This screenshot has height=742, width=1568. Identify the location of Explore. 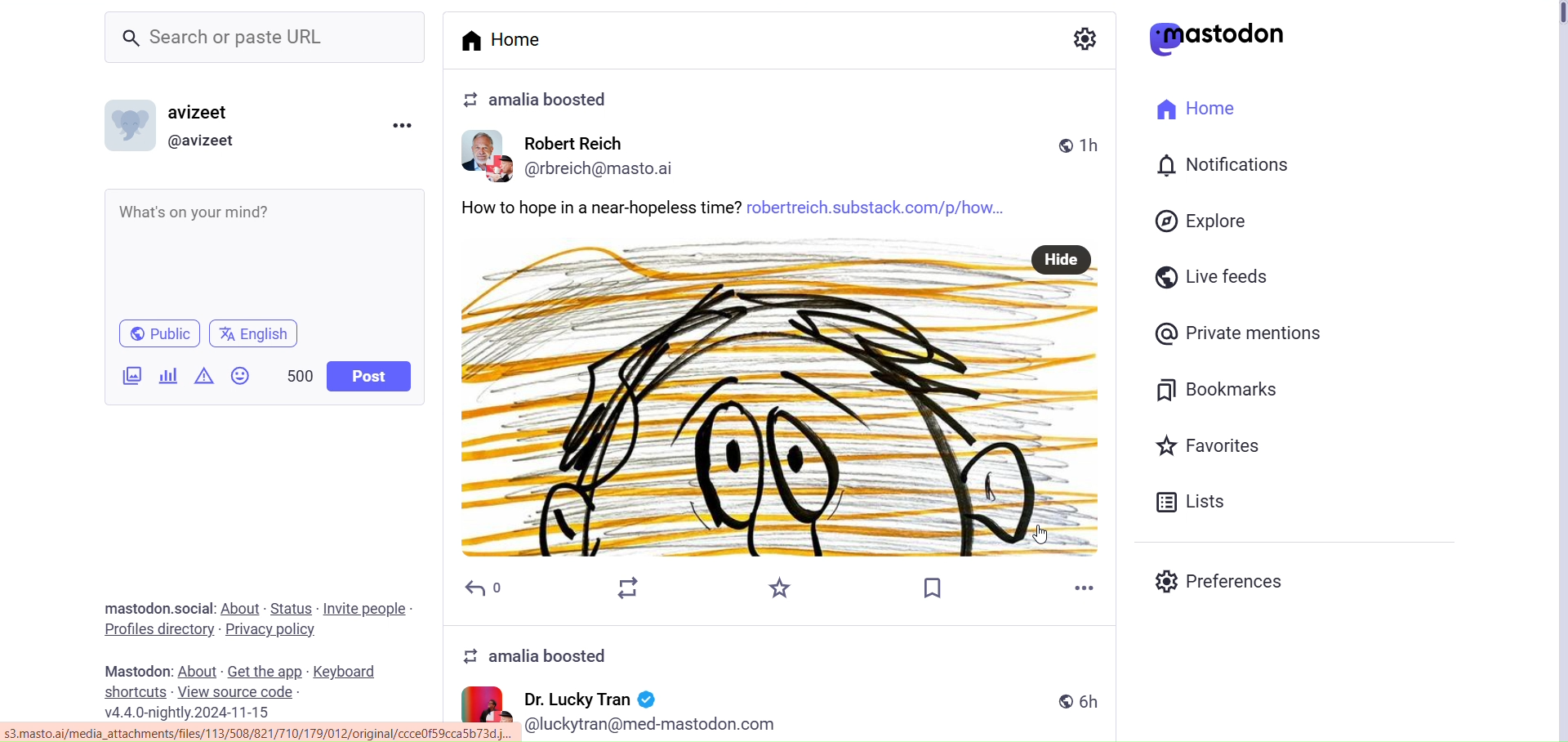
(1201, 220).